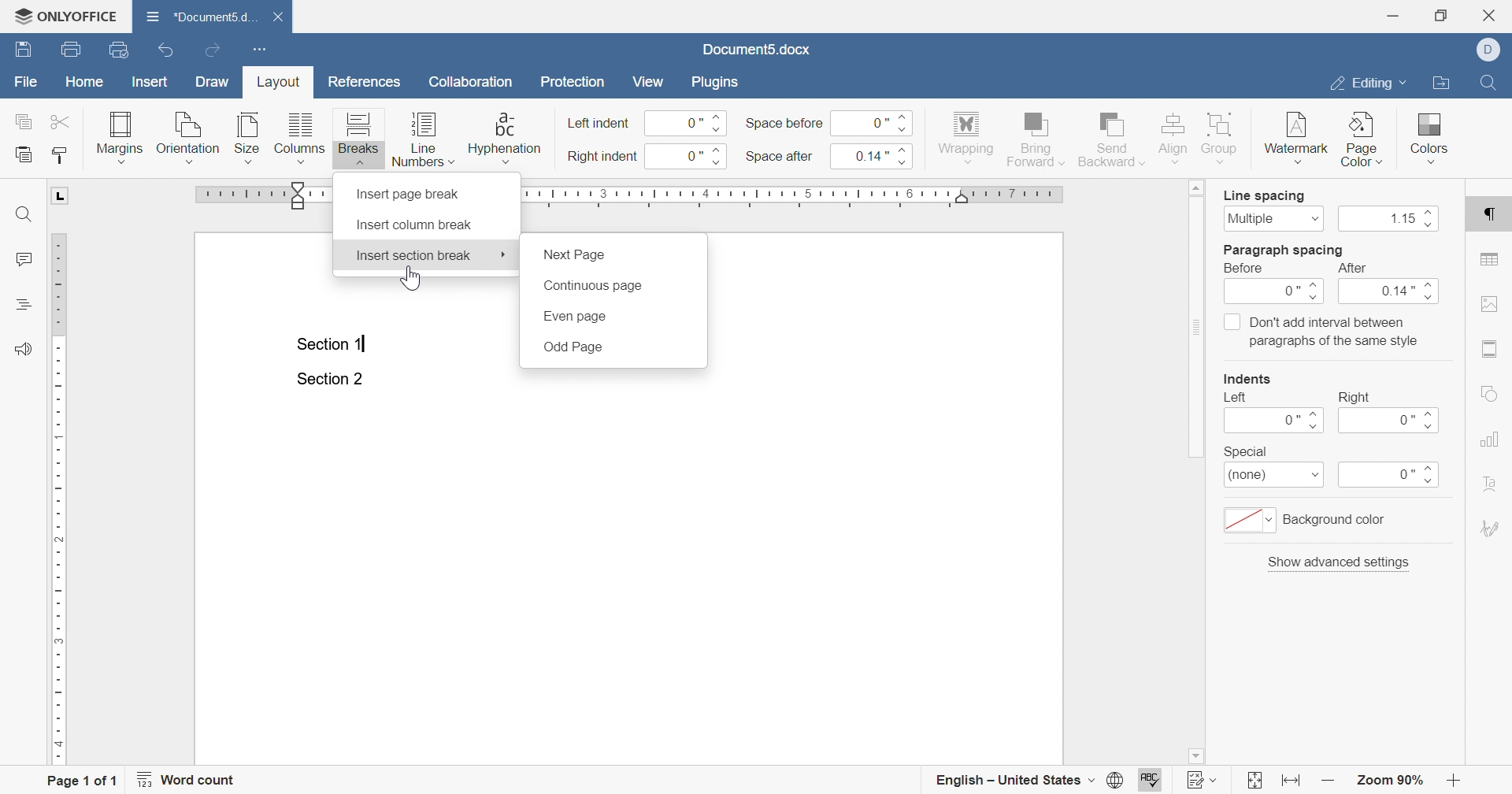 The width and height of the screenshot is (1512, 794). I want to click on show advanced settings, so click(1340, 562).